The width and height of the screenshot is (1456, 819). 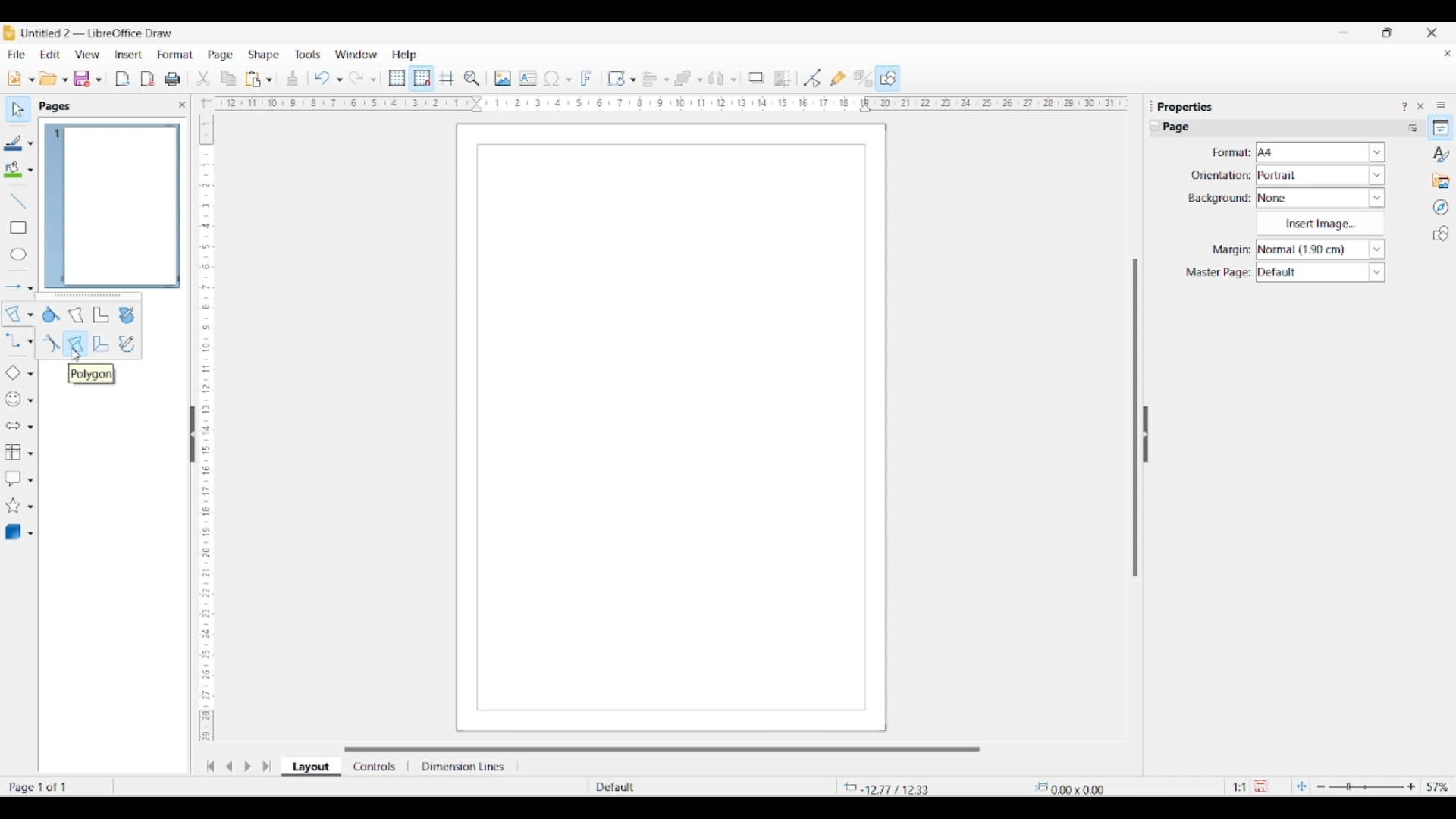 I want to click on Cursor clicking on Polygon, so click(x=77, y=355).